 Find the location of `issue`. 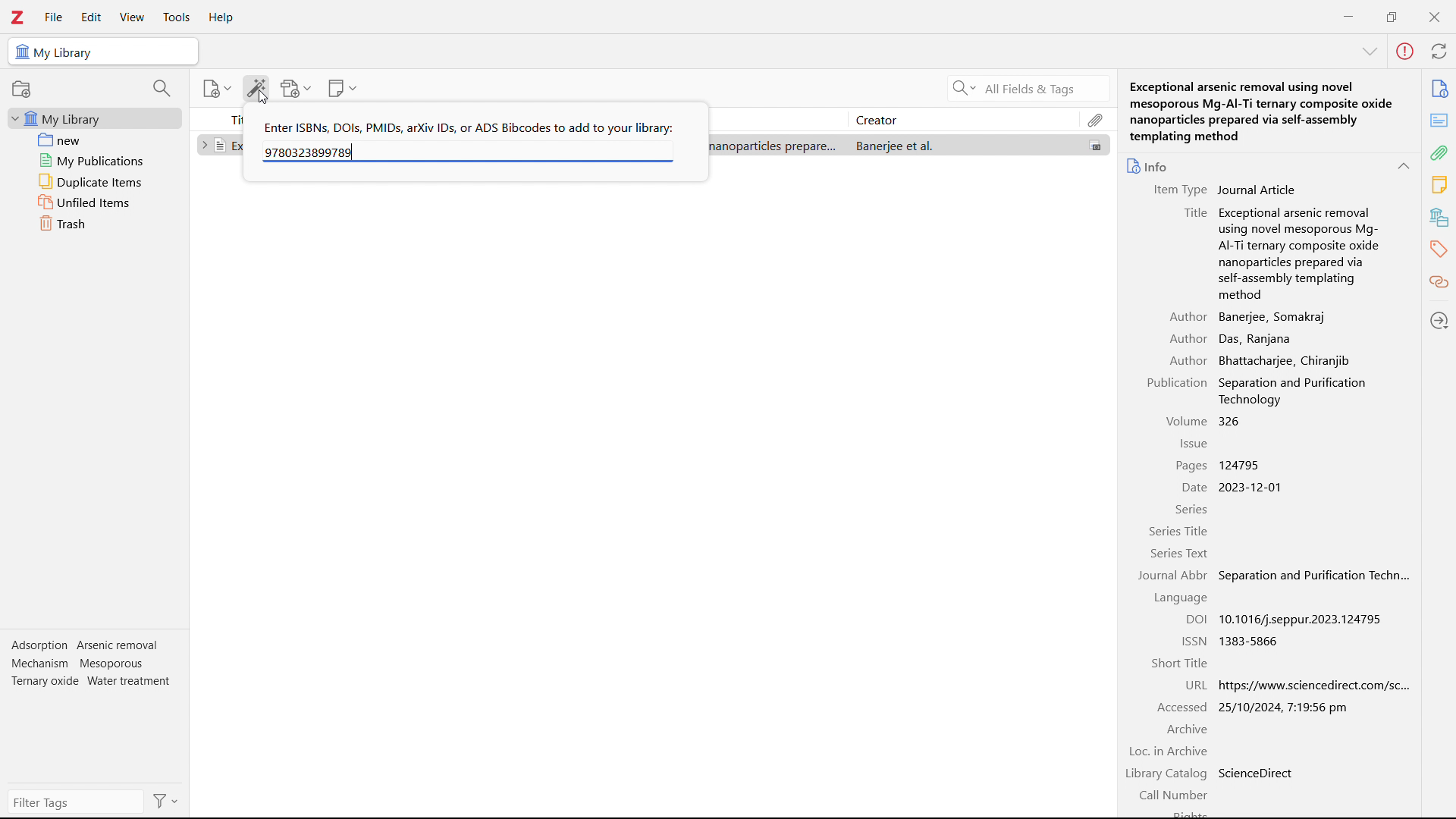

issue is located at coordinates (1192, 444).